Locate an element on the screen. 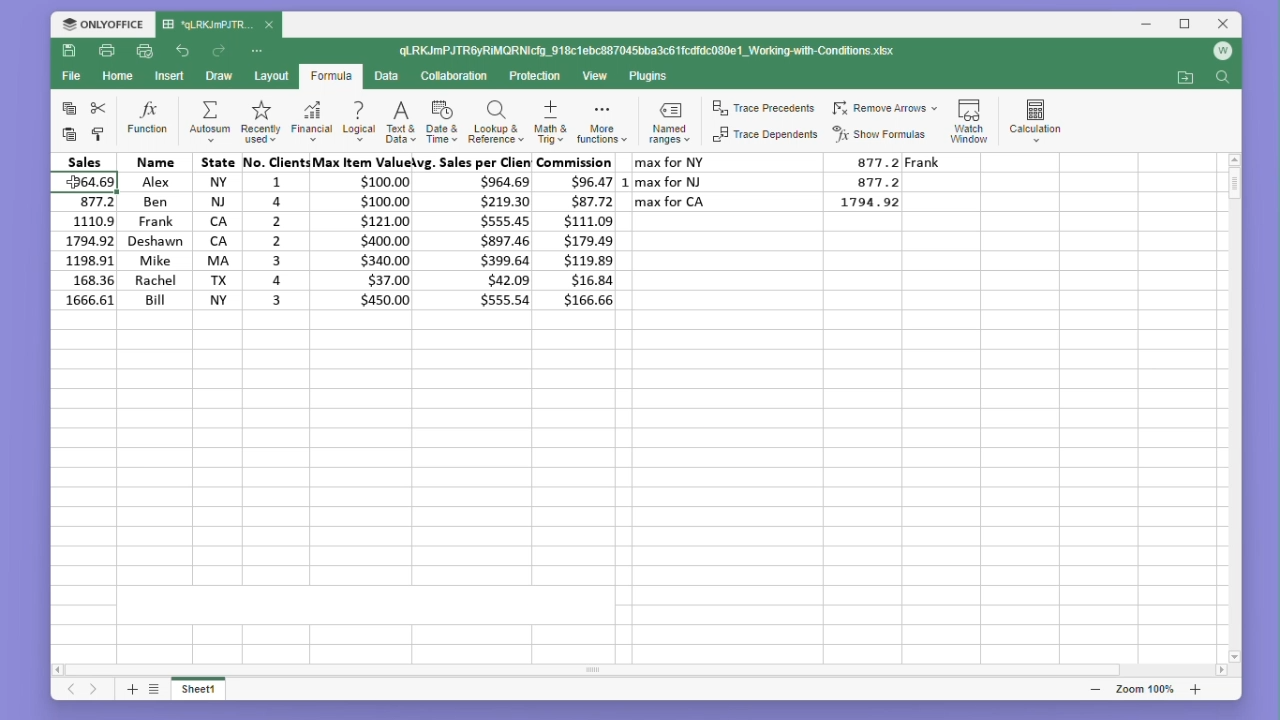 The width and height of the screenshot is (1280, 720). home is located at coordinates (114, 75).